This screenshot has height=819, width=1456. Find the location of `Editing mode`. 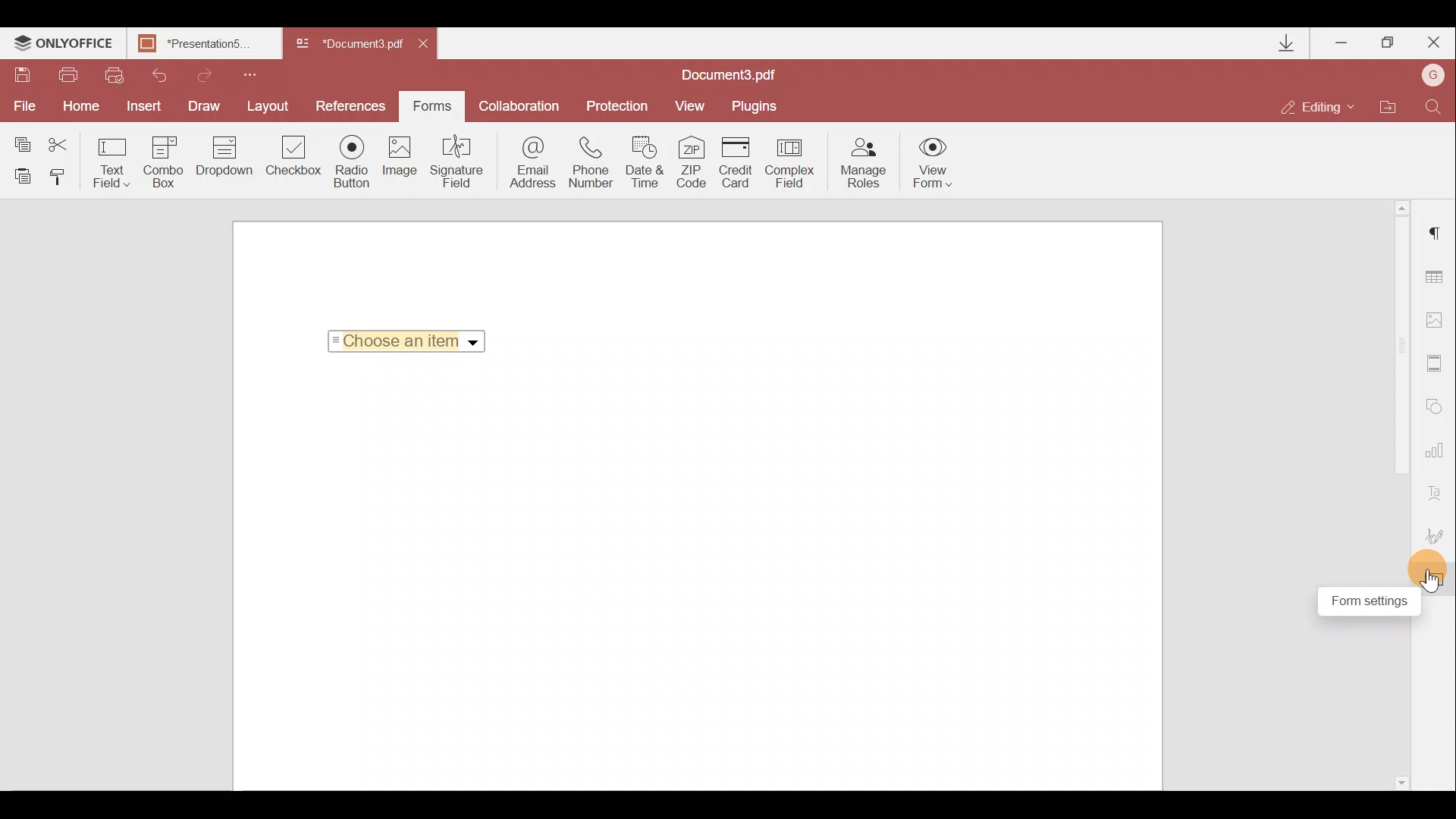

Editing mode is located at coordinates (1318, 106).